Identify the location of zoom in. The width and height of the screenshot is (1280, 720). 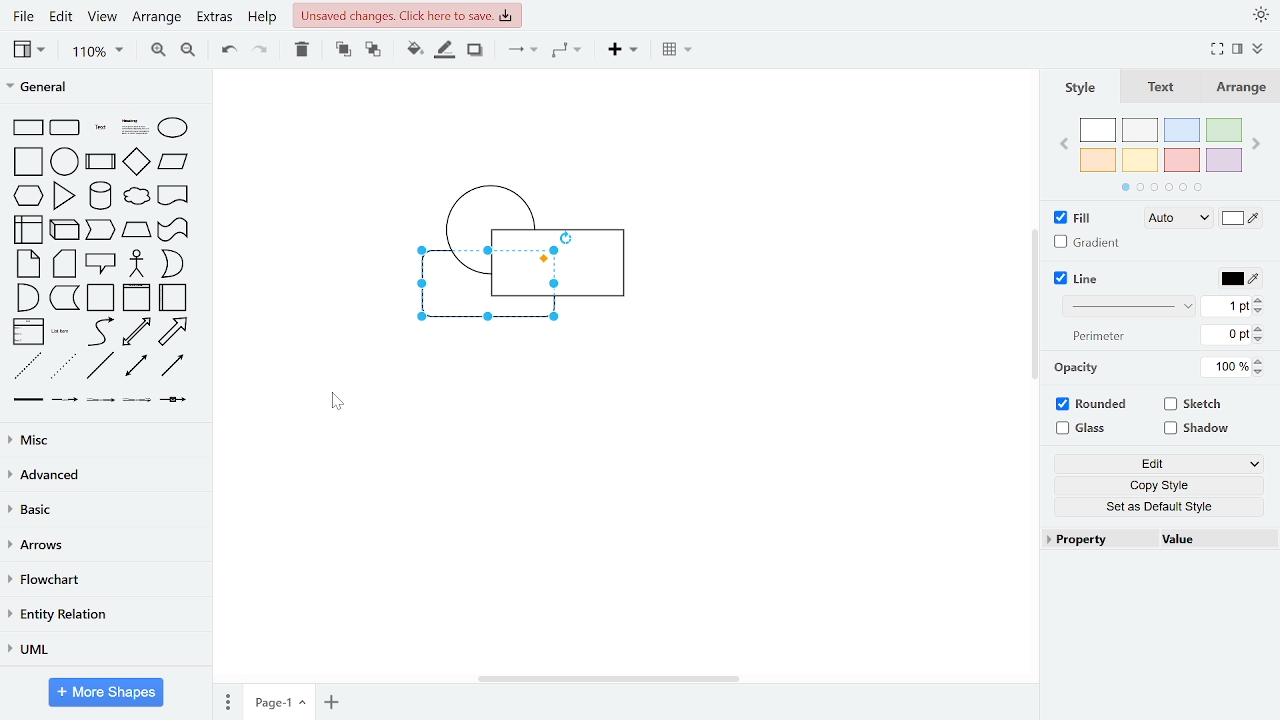
(159, 51).